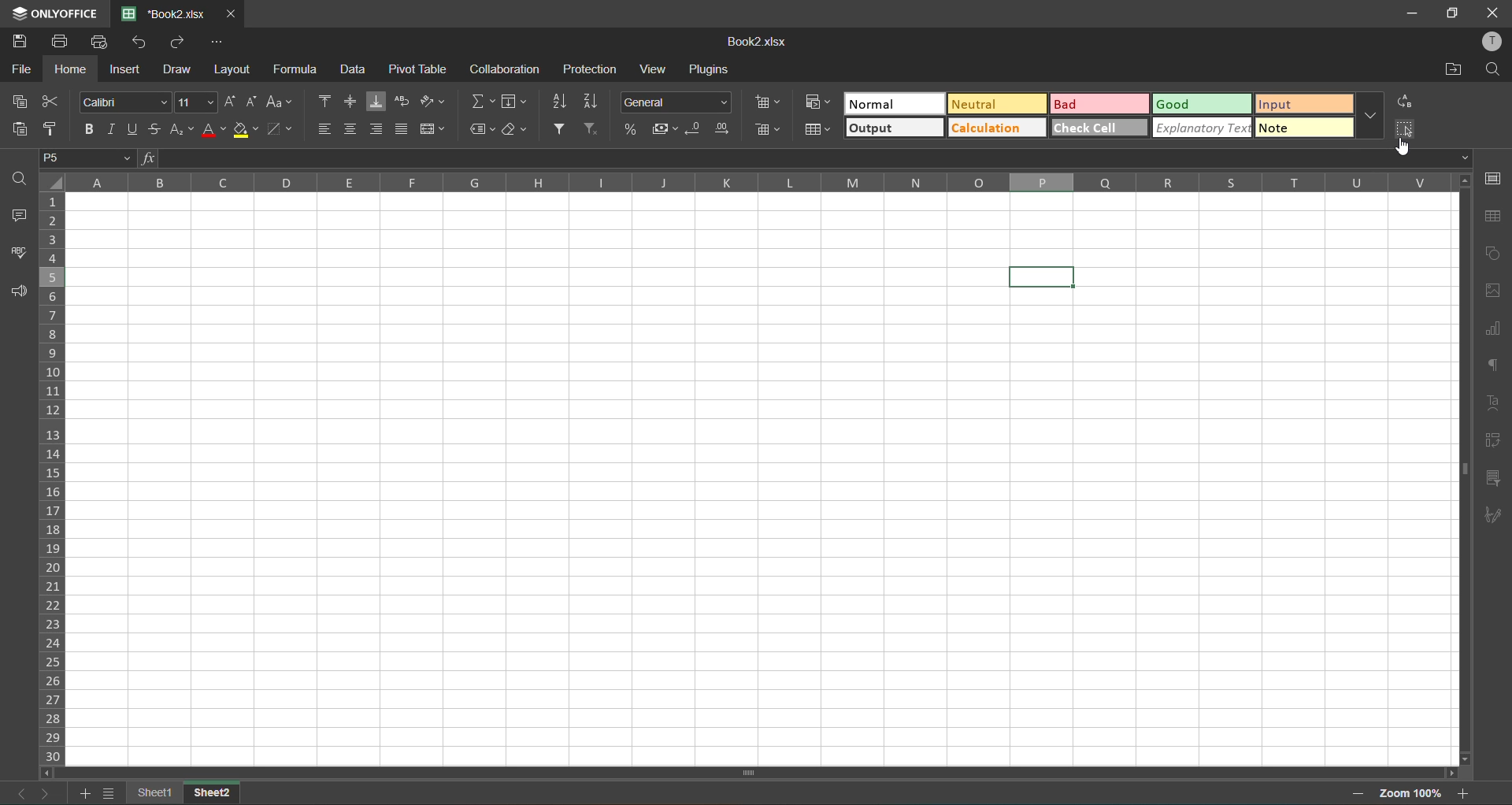  Describe the element at coordinates (434, 130) in the screenshot. I see `merge and center` at that location.